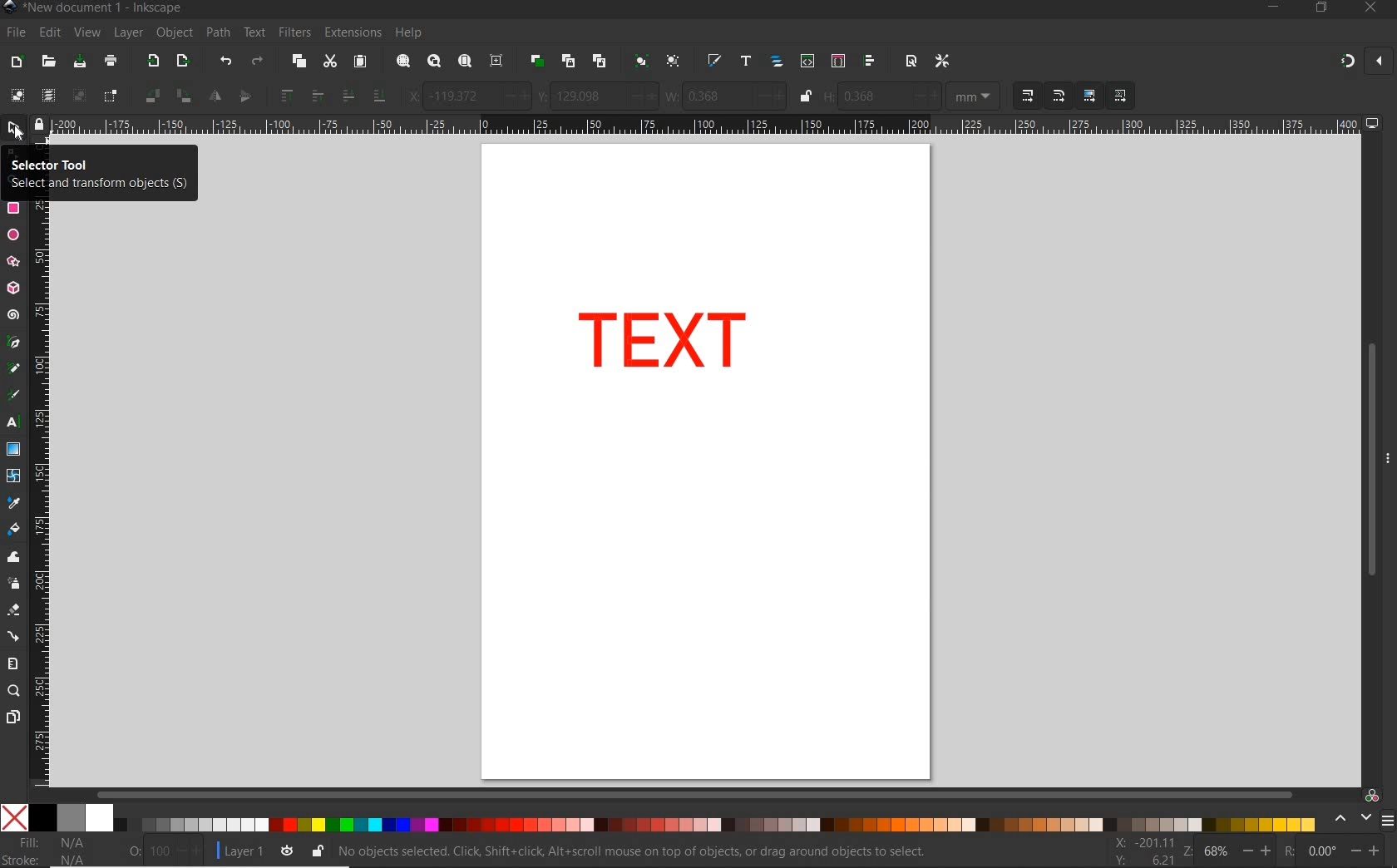 Image resolution: width=1397 pixels, height=868 pixels. Describe the element at coordinates (47, 96) in the screenshot. I see `SELECT ALL IN ALL LAYERS` at that location.